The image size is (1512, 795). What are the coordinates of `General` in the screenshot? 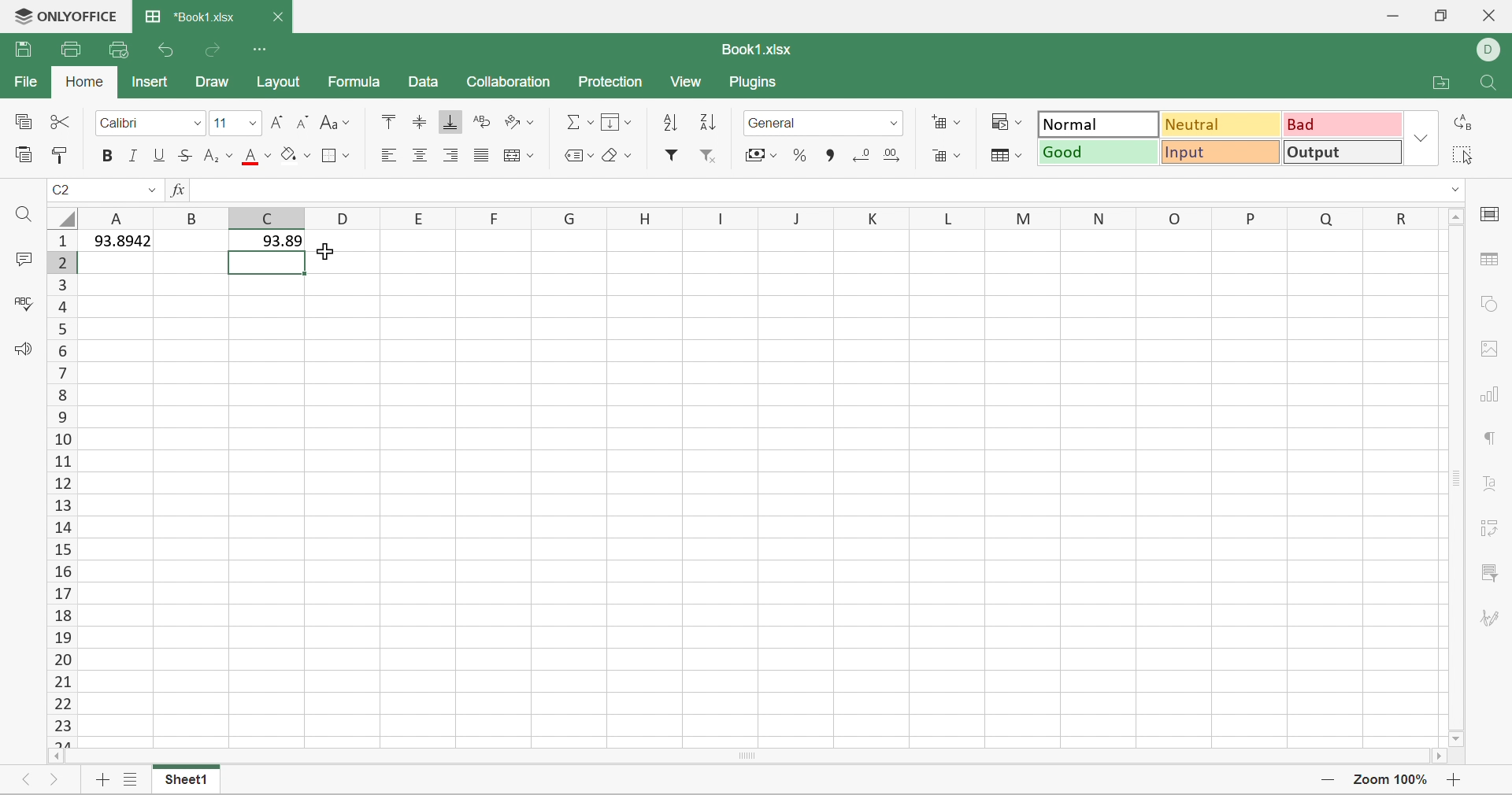 It's located at (777, 123).